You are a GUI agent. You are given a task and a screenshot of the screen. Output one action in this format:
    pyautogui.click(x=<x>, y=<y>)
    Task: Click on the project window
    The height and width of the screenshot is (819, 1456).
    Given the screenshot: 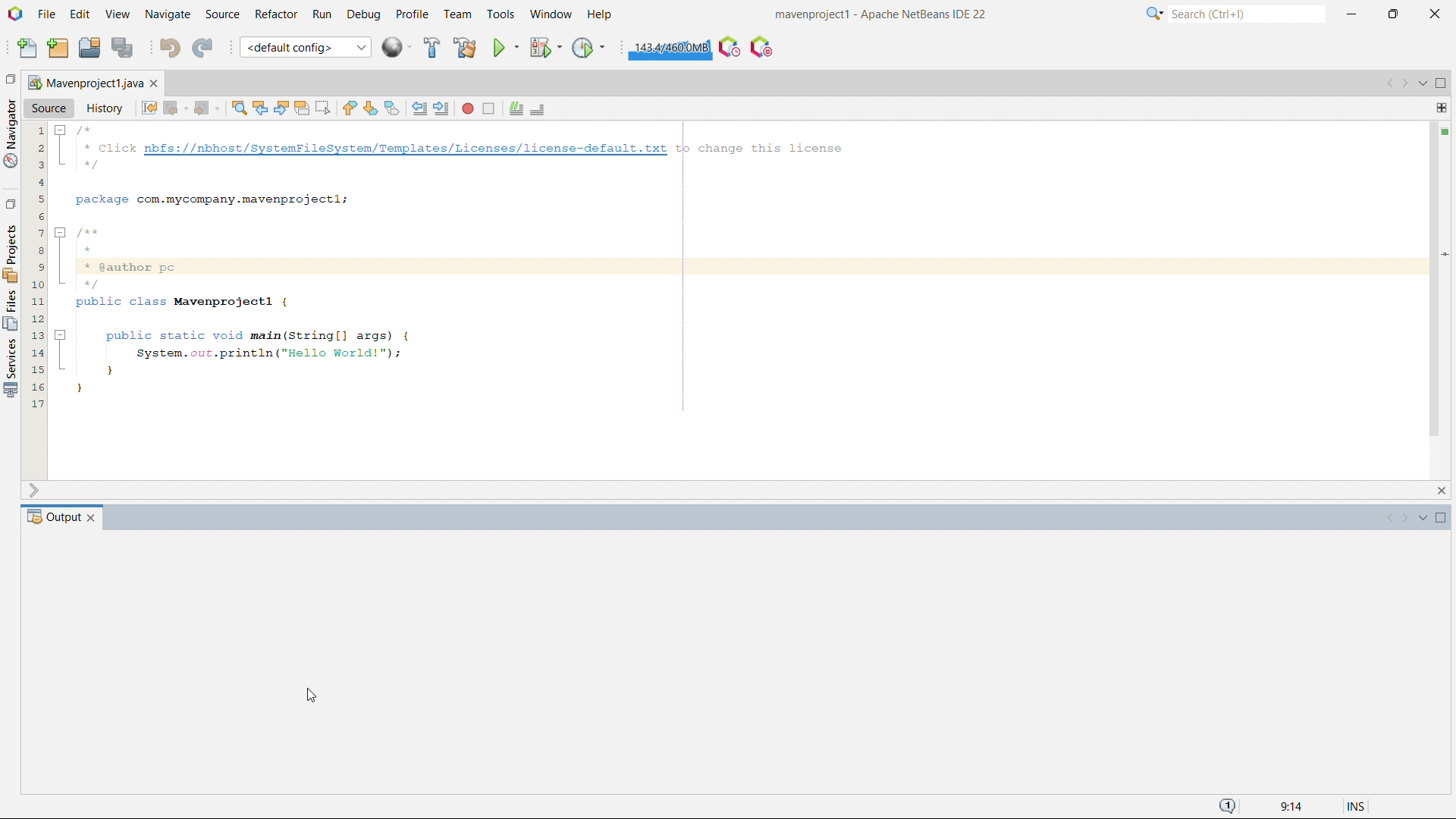 What is the action you would take?
    pyautogui.click(x=88, y=86)
    